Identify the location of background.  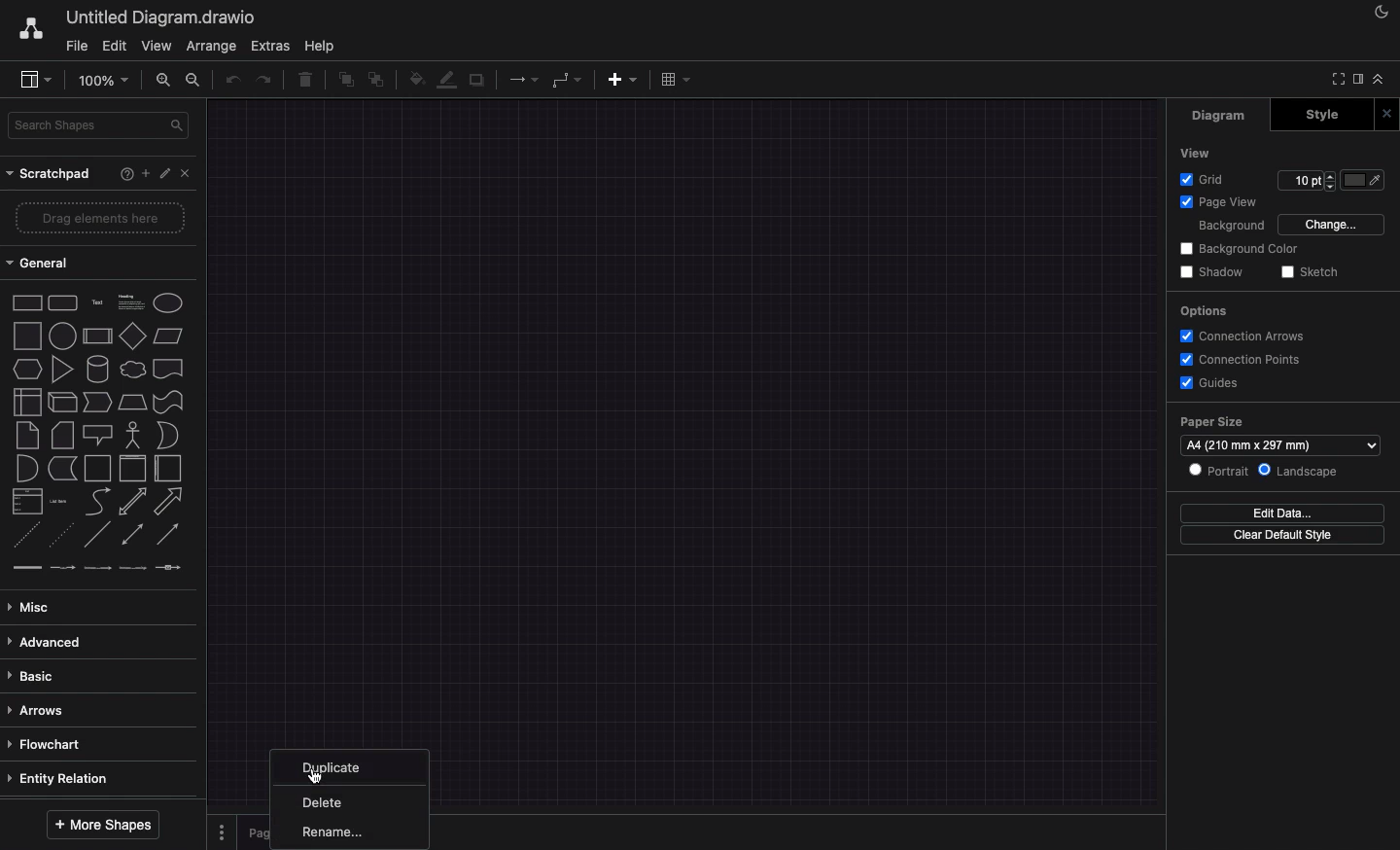
(1229, 226).